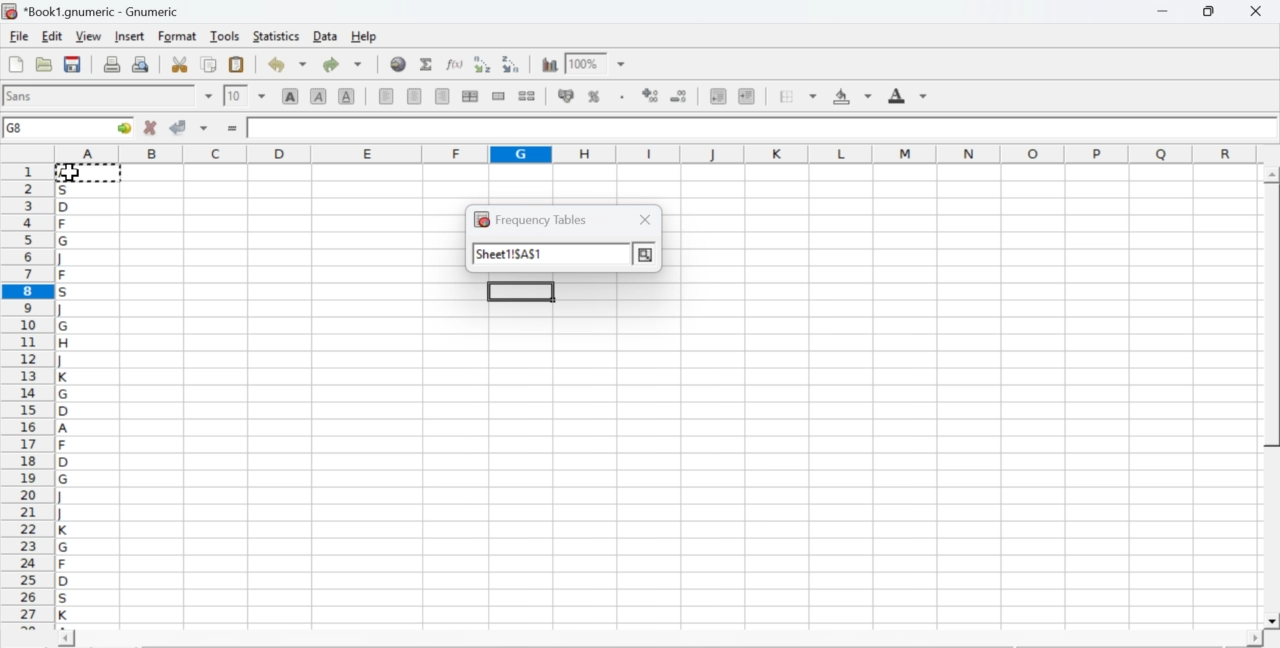 The width and height of the screenshot is (1280, 648). What do you see at coordinates (526, 95) in the screenshot?
I see `split merged ranges of cells` at bounding box center [526, 95].